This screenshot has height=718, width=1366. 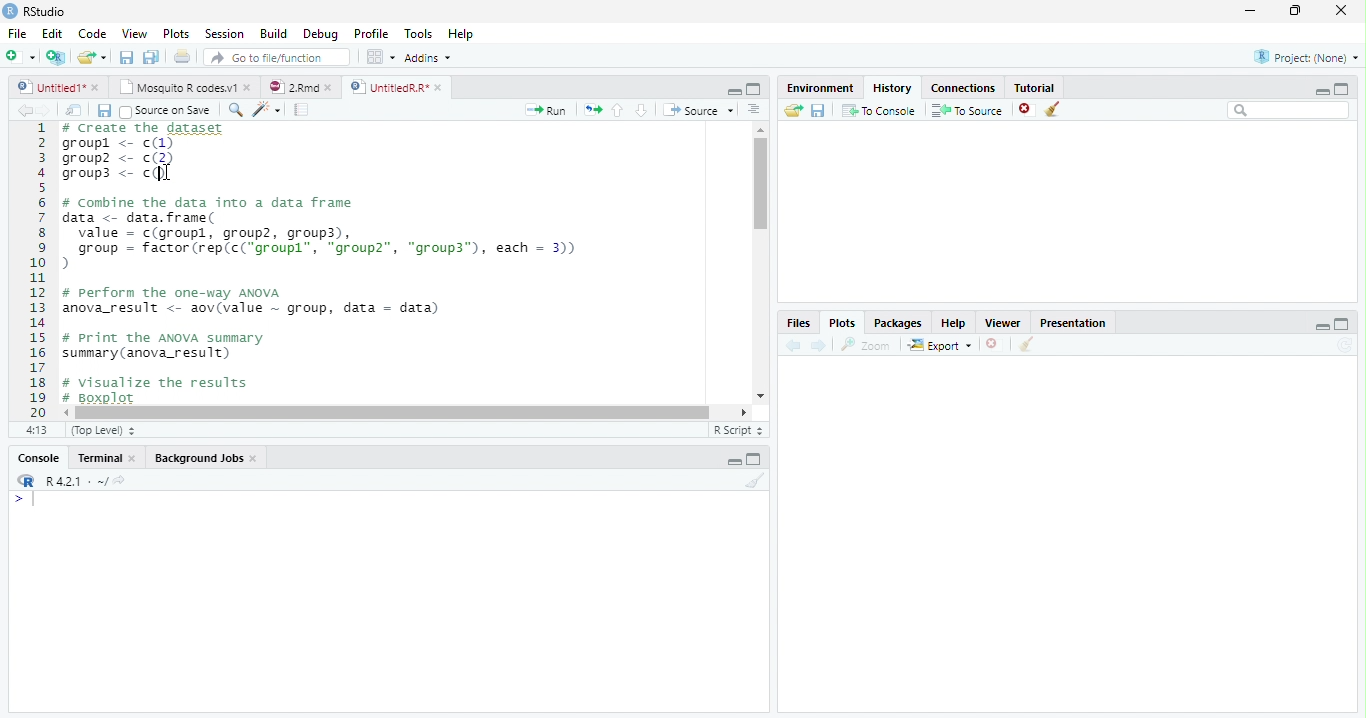 What do you see at coordinates (225, 34) in the screenshot?
I see `Session` at bounding box center [225, 34].